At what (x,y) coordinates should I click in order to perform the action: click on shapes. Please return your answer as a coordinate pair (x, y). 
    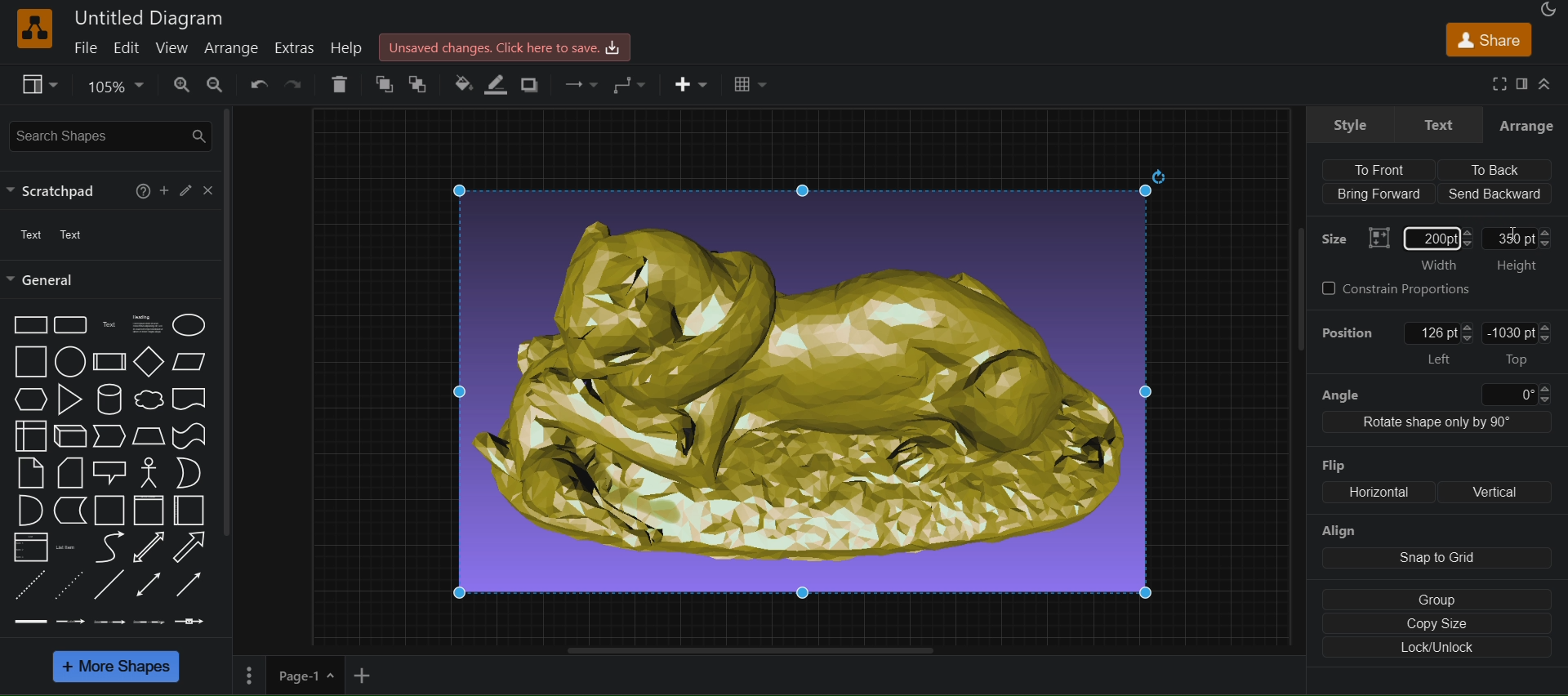
    Looking at the image, I should click on (105, 471).